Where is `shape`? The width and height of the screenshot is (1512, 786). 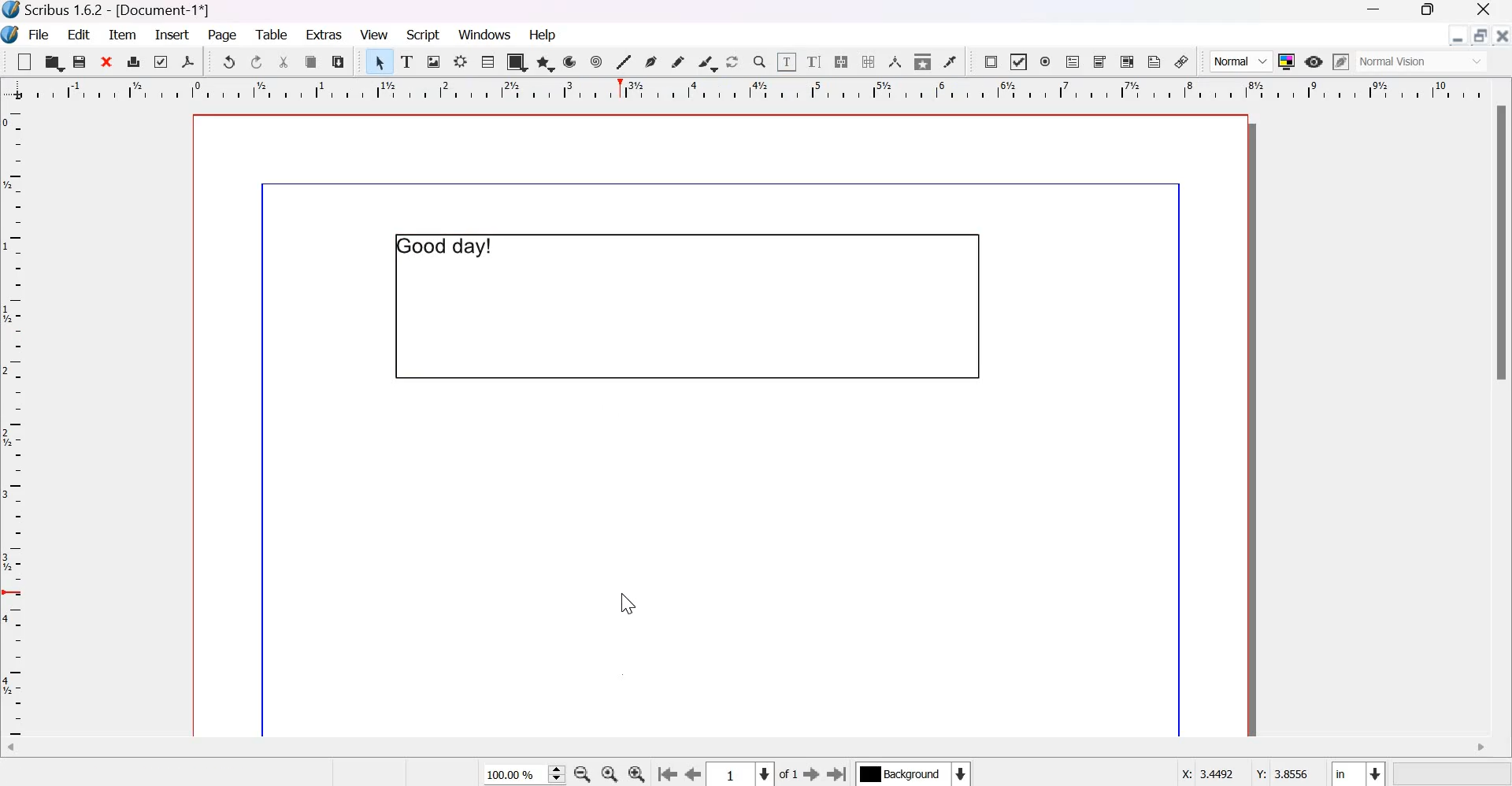
shape is located at coordinates (517, 61).